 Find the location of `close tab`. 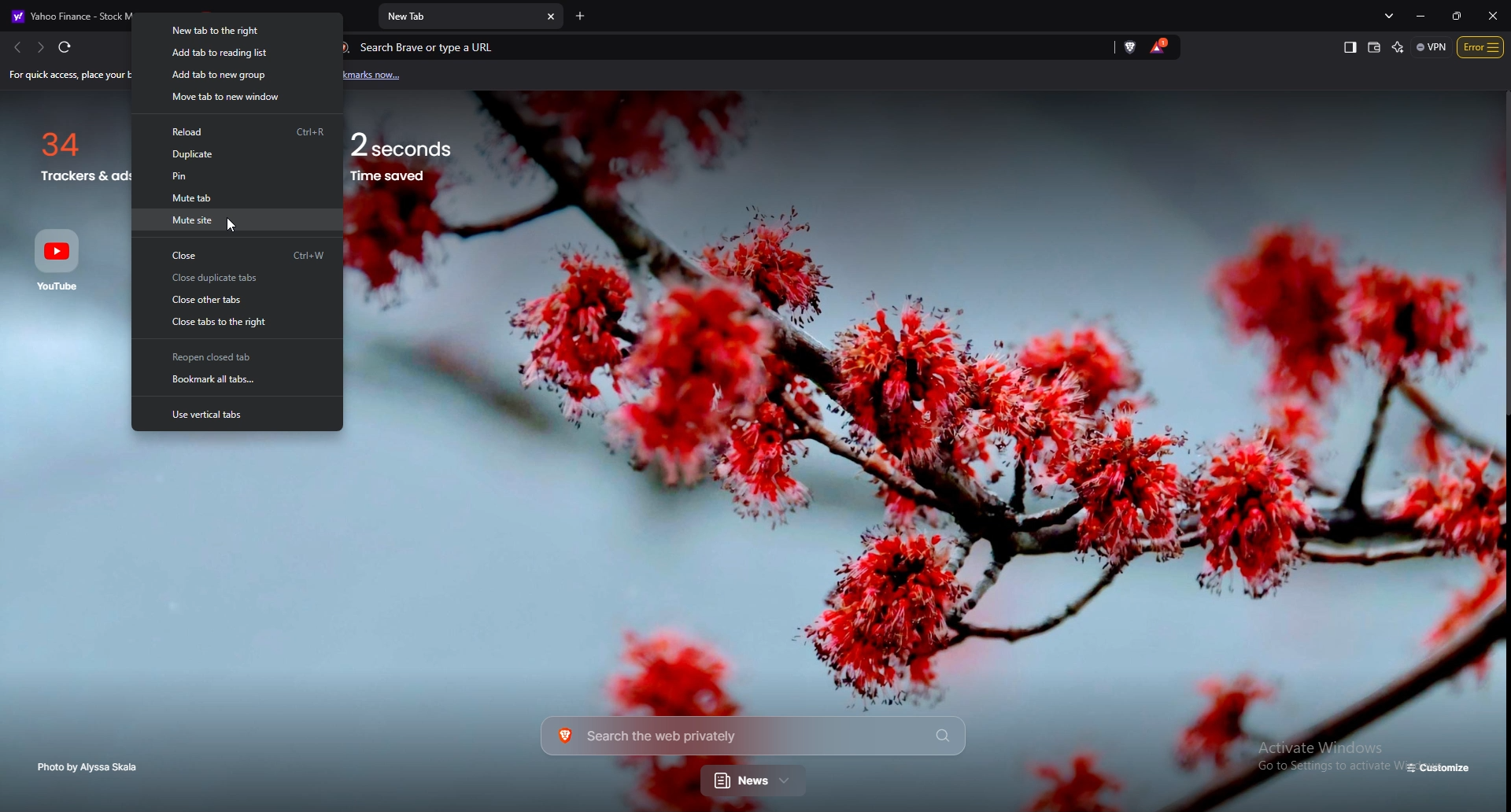

close tab is located at coordinates (552, 17).